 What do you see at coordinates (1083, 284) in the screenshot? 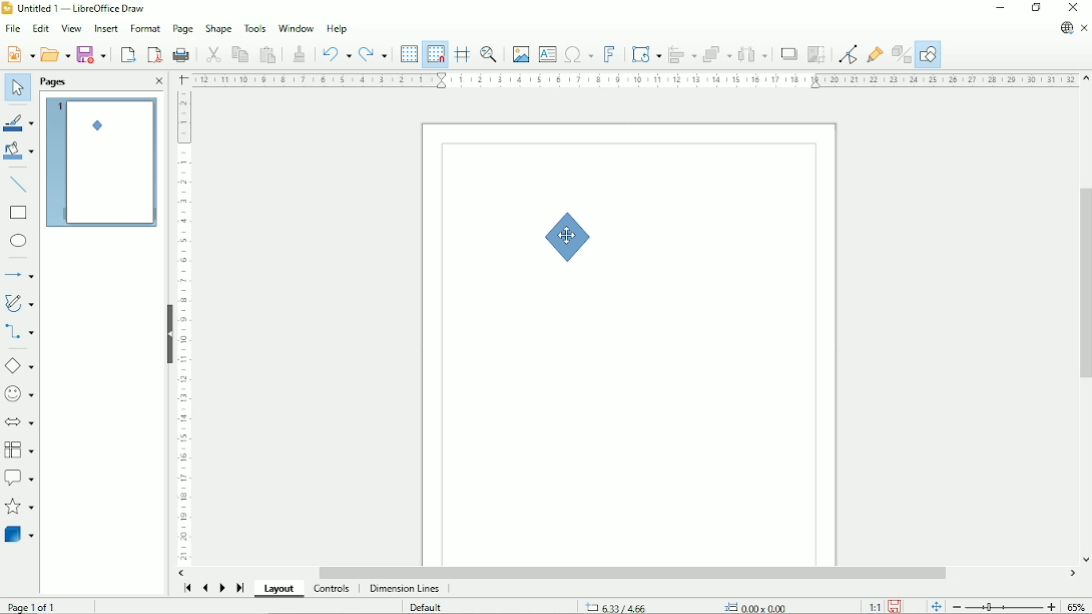
I see `Vertical scrollbar` at bounding box center [1083, 284].